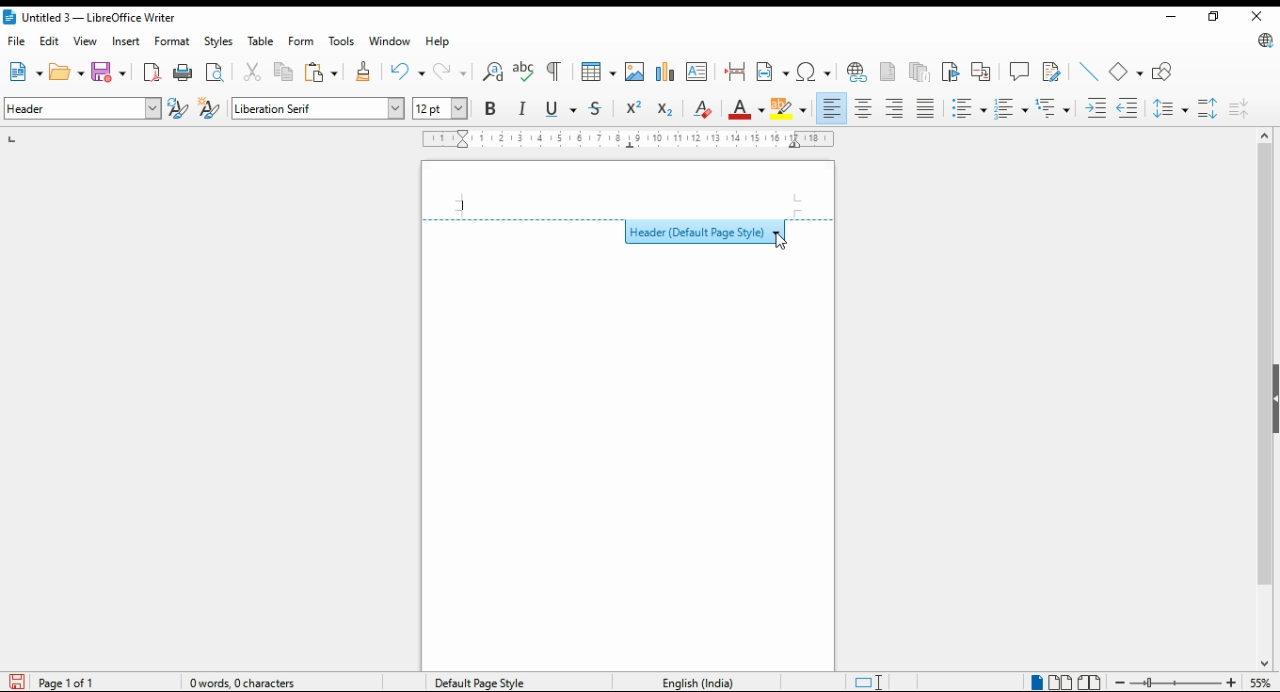 Image resolution: width=1280 pixels, height=692 pixels. I want to click on new style from selection, so click(212, 109).